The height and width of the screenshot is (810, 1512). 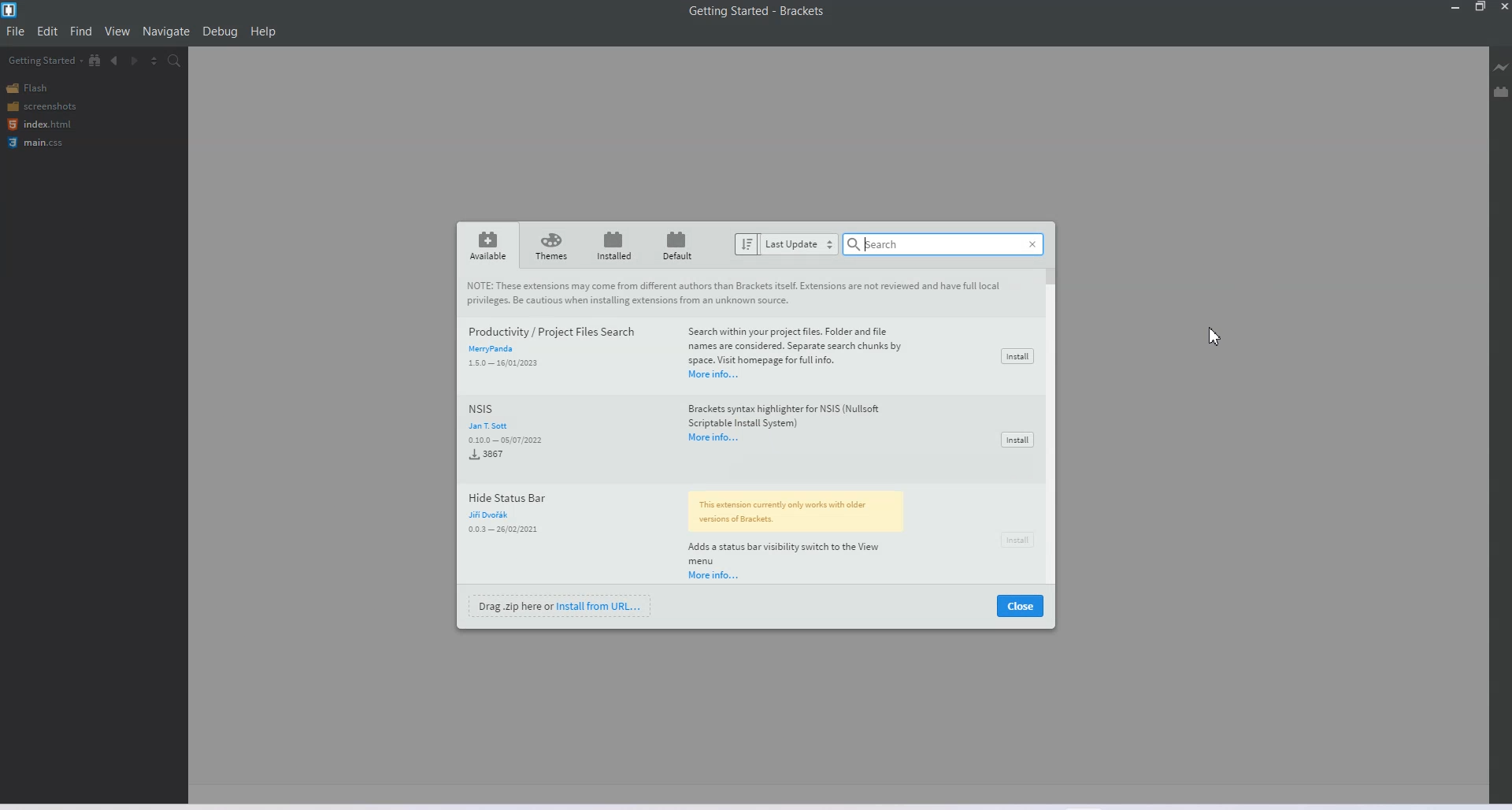 I want to click on View, so click(x=117, y=30).